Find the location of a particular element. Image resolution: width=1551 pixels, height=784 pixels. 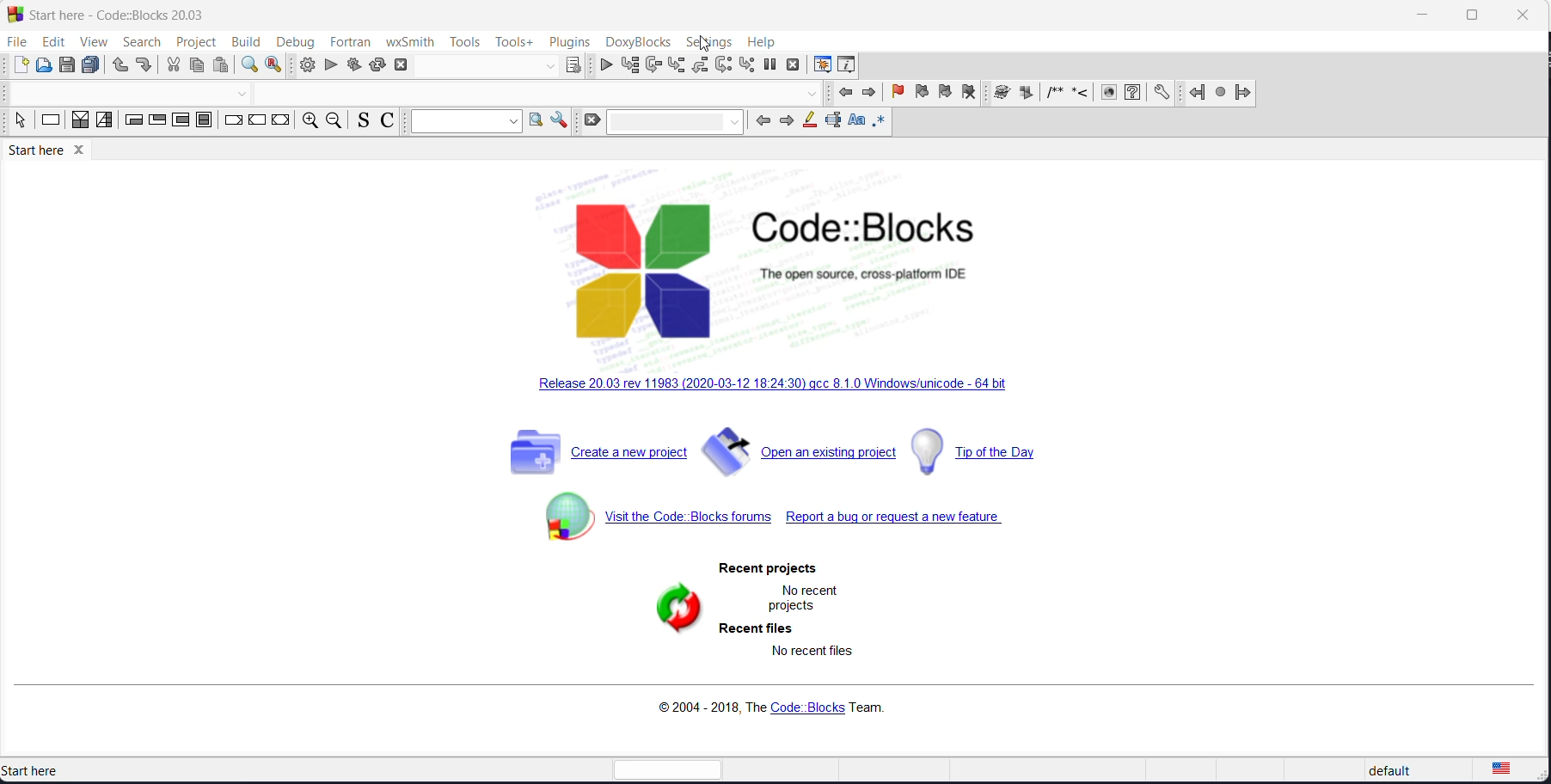

remove bookmark is located at coordinates (970, 94).